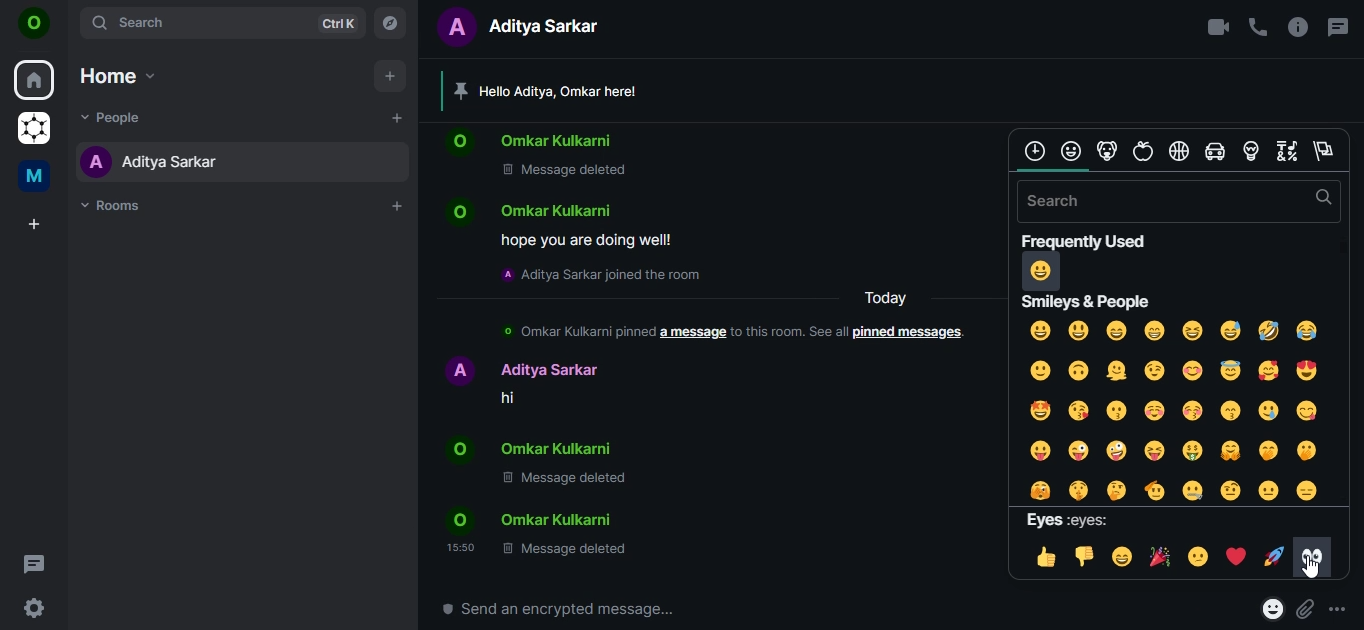  I want to click on starstruck, so click(1040, 409).